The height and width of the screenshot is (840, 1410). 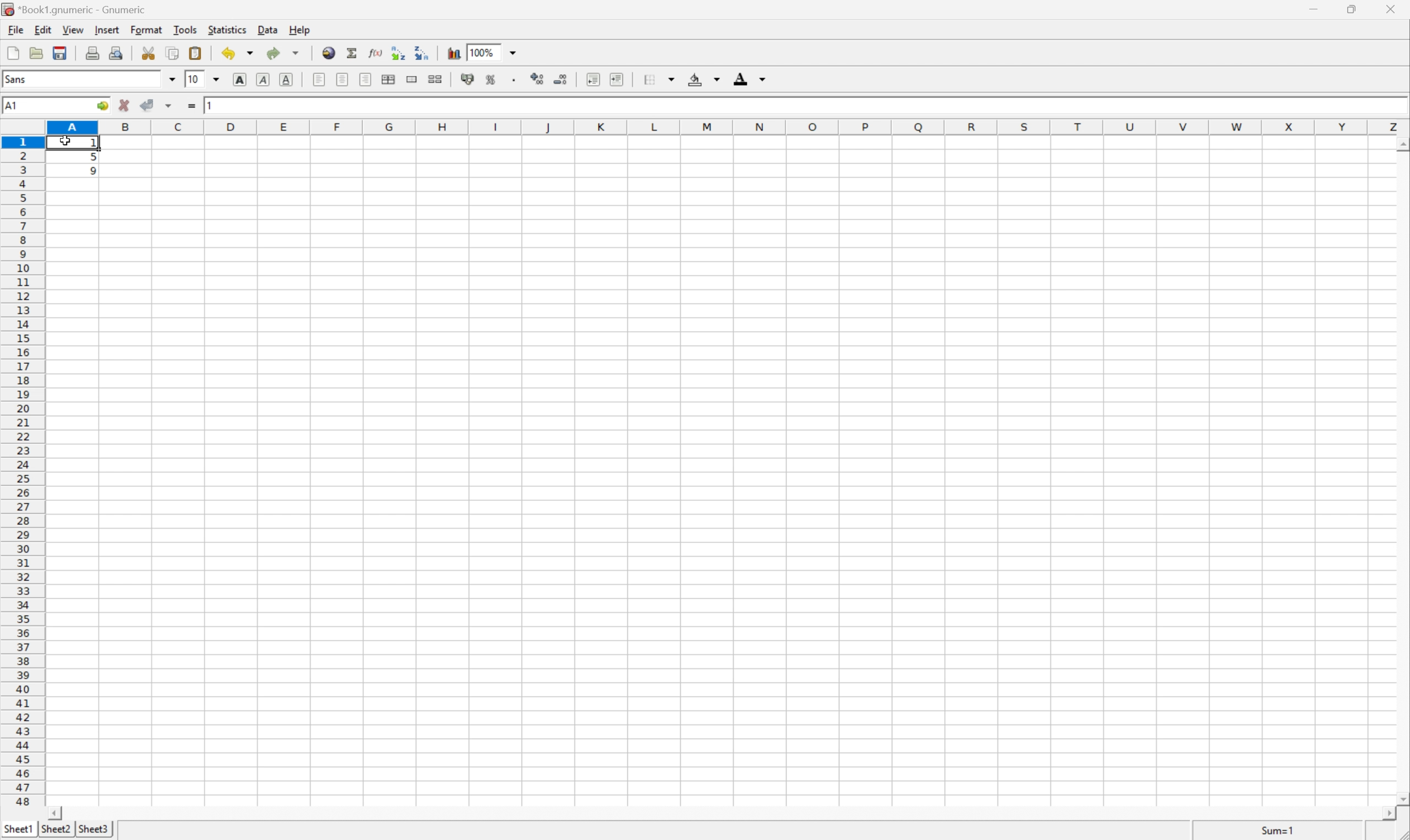 What do you see at coordinates (239, 55) in the screenshot?
I see `undo` at bounding box center [239, 55].